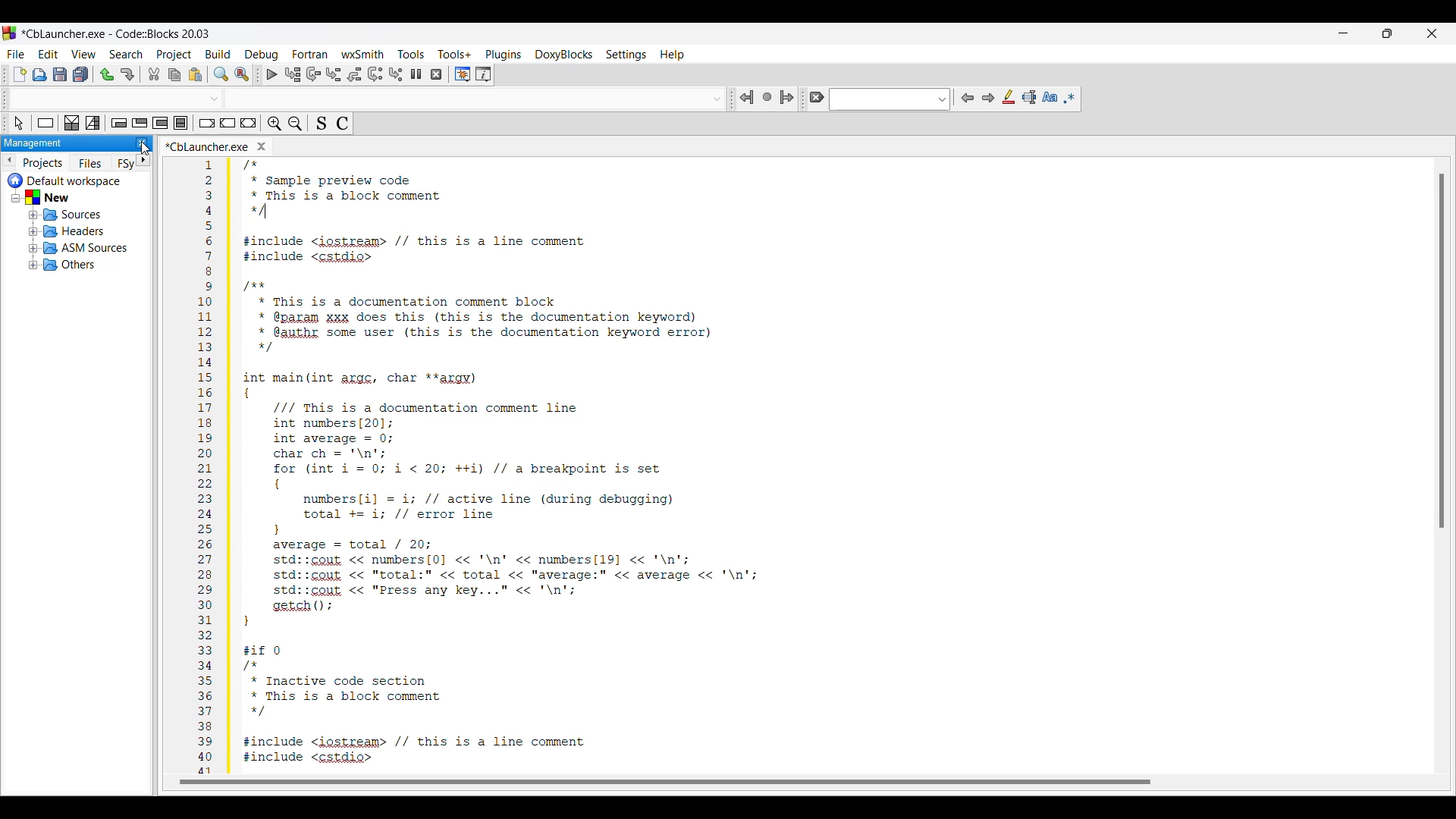  What do you see at coordinates (49, 54) in the screenshot?
I see `Edit menu` at bounding box center [49, 54].